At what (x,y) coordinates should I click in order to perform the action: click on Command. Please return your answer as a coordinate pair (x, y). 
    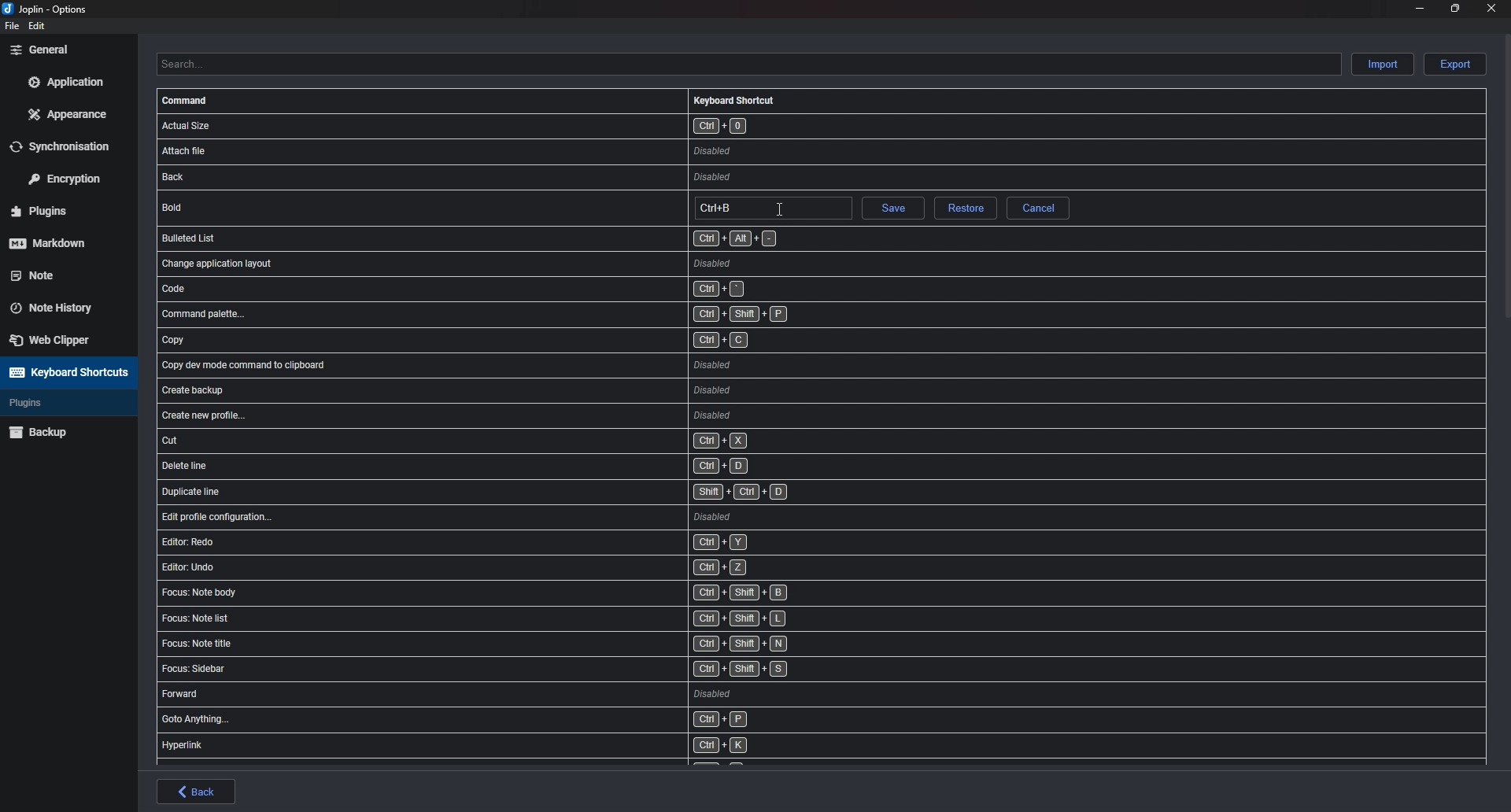
    Looking at the image, I should click on (187, 101).